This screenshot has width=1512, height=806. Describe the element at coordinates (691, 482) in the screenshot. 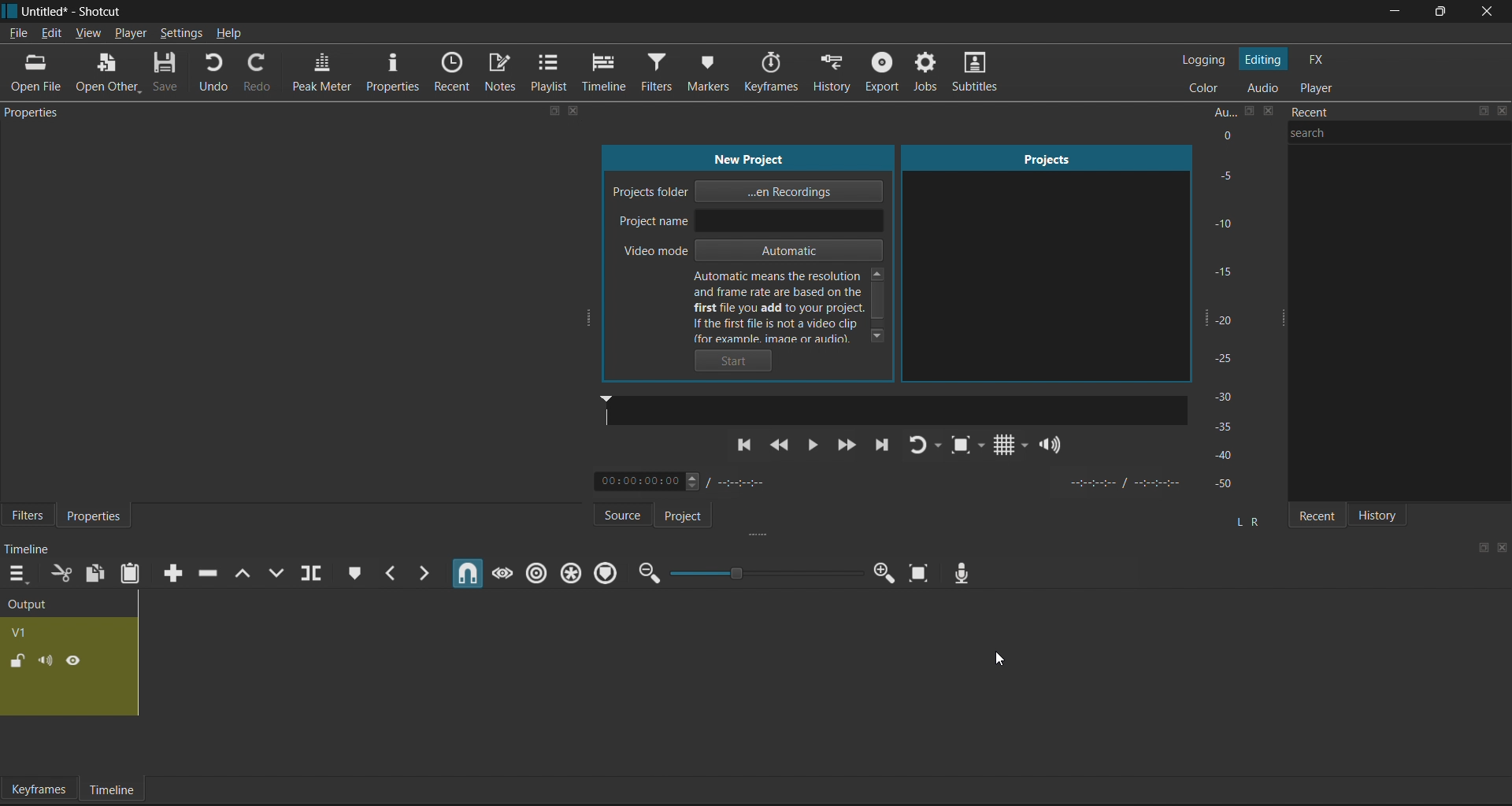

I see `Timestamp` at that location.